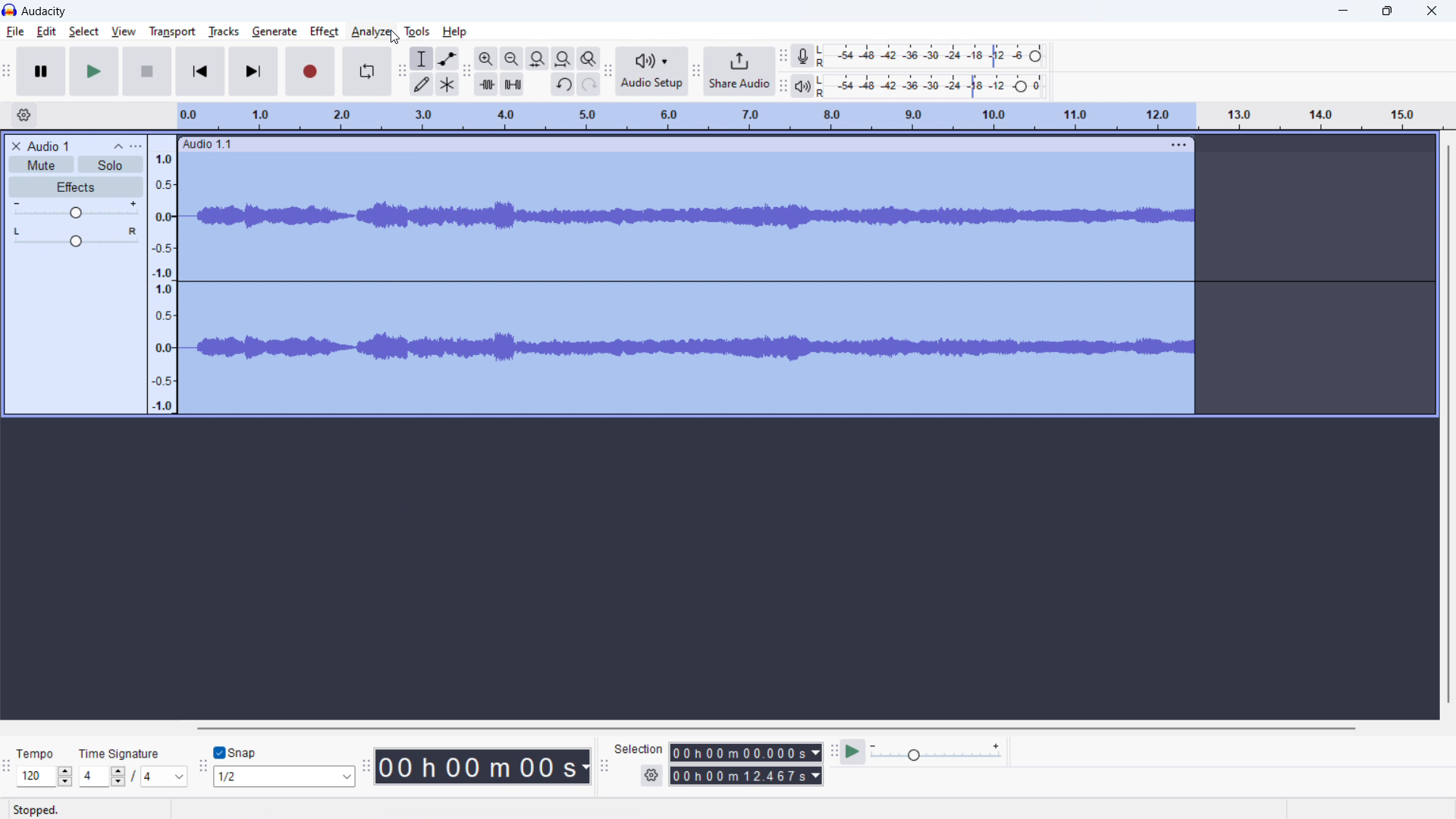 Image resolution: width=1456 pixels, height=819 pixels. What do you see at coordinates (38, 810) in the screenshot?
I see `Stopped` at bounding box center [38, 810].